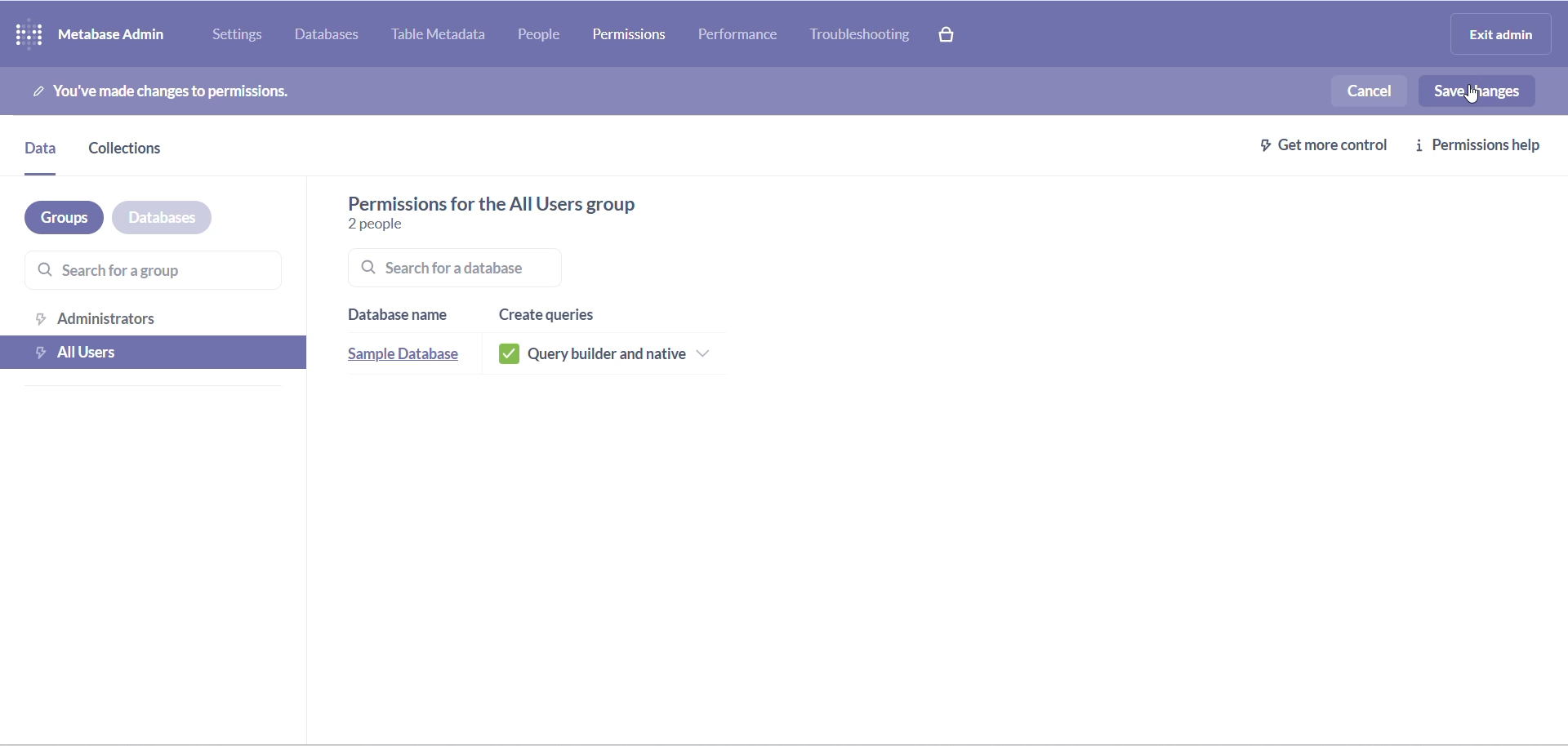 The image size is (1568, 746). Describe the element at coordinates (403, 353) in the screenshot. I see `sample database` at that location.